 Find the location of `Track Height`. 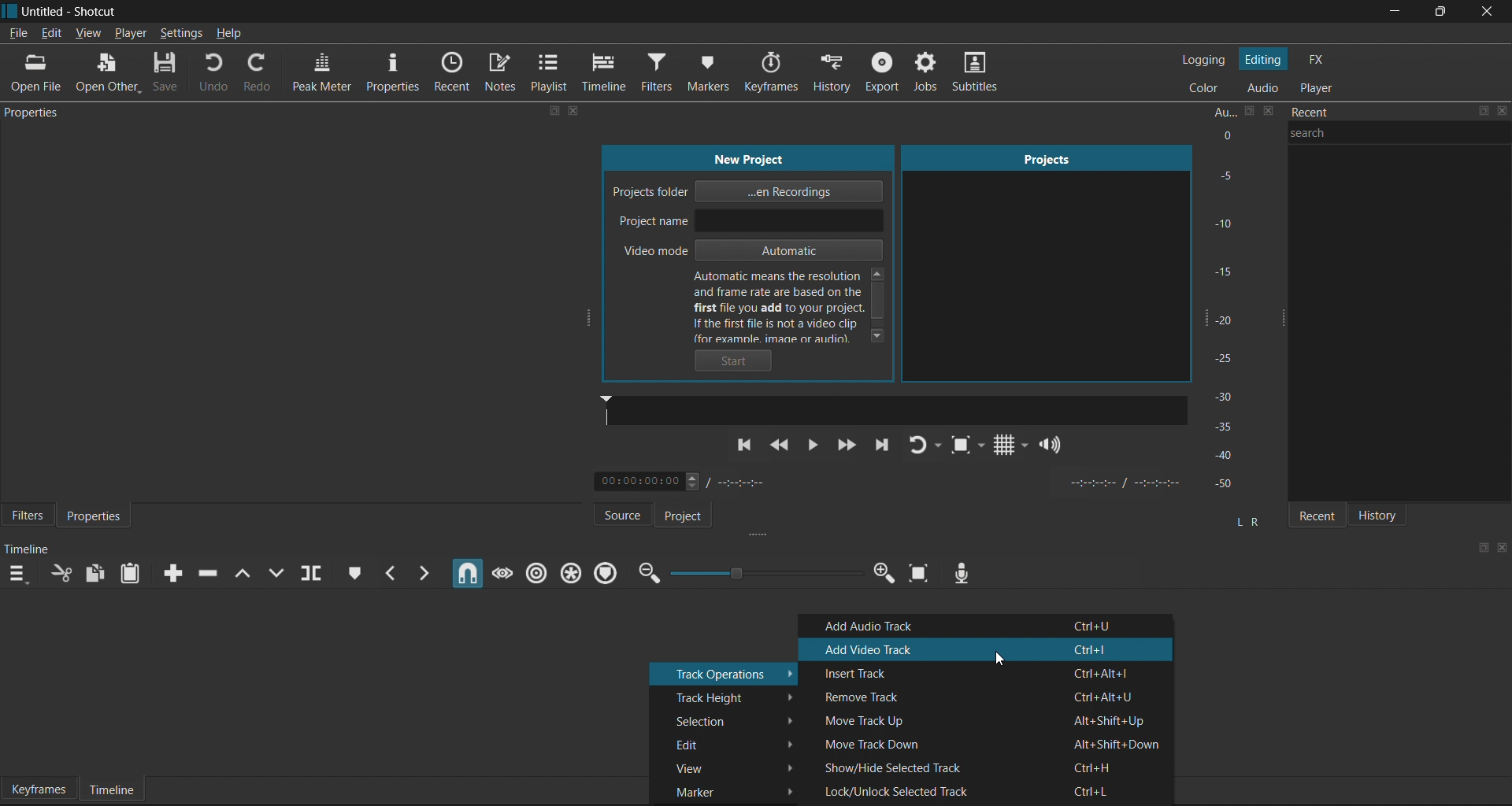

Track Height is located at coordinates (728, 695).